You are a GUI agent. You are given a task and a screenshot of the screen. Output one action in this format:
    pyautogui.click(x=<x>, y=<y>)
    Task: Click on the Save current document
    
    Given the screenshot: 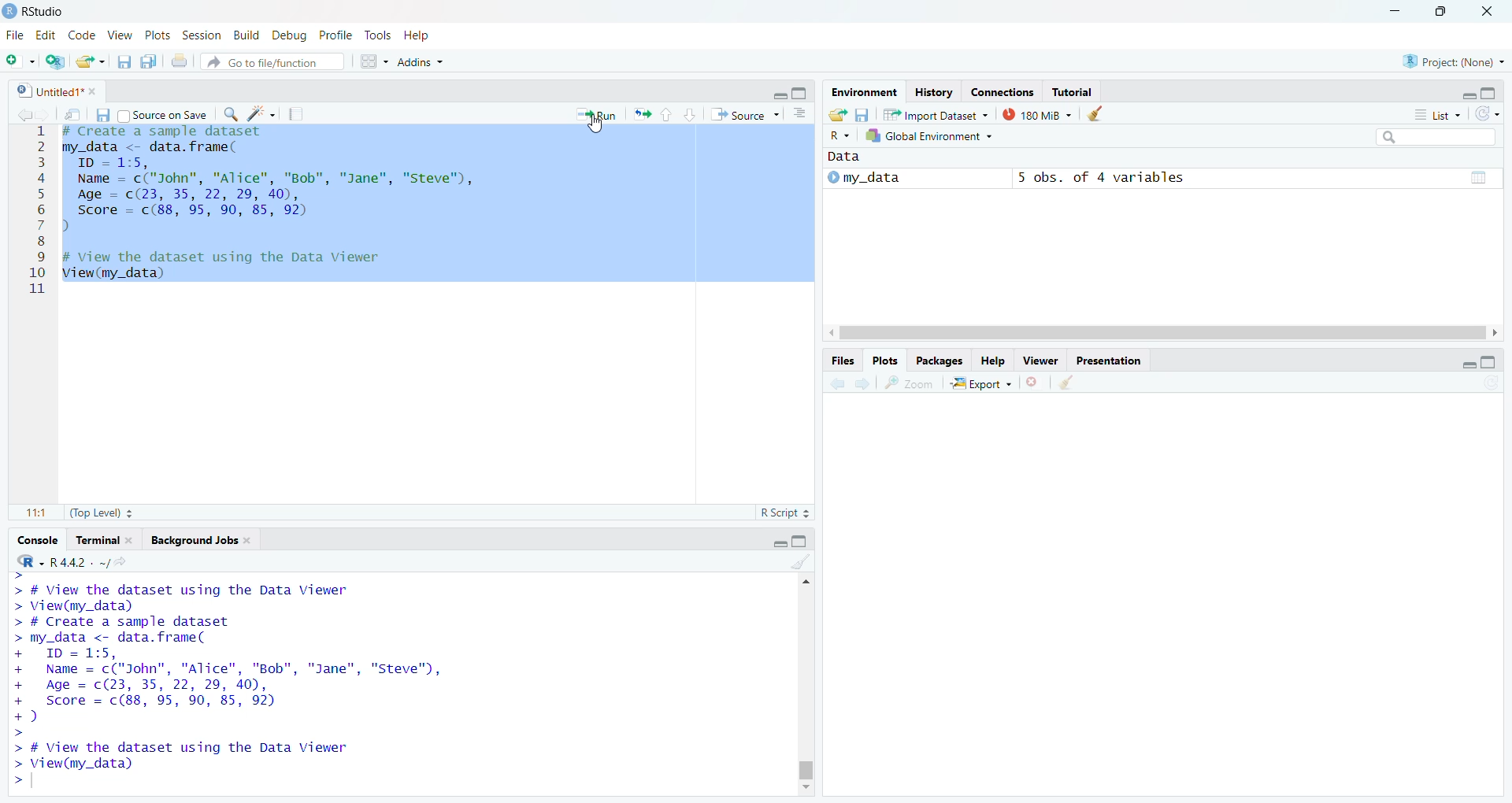 What is the action you would take?
    pyautogui.click(x=124, y=65)
    